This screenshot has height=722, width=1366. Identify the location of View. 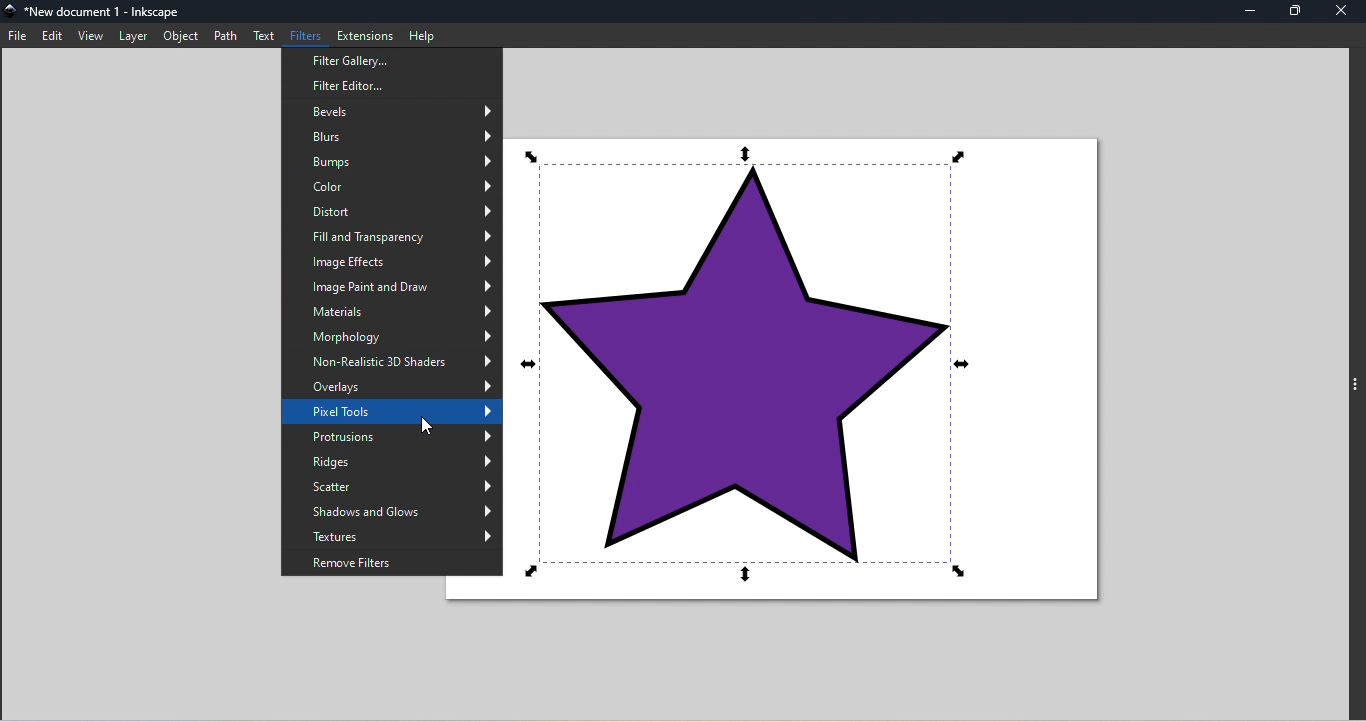
(91, 38).